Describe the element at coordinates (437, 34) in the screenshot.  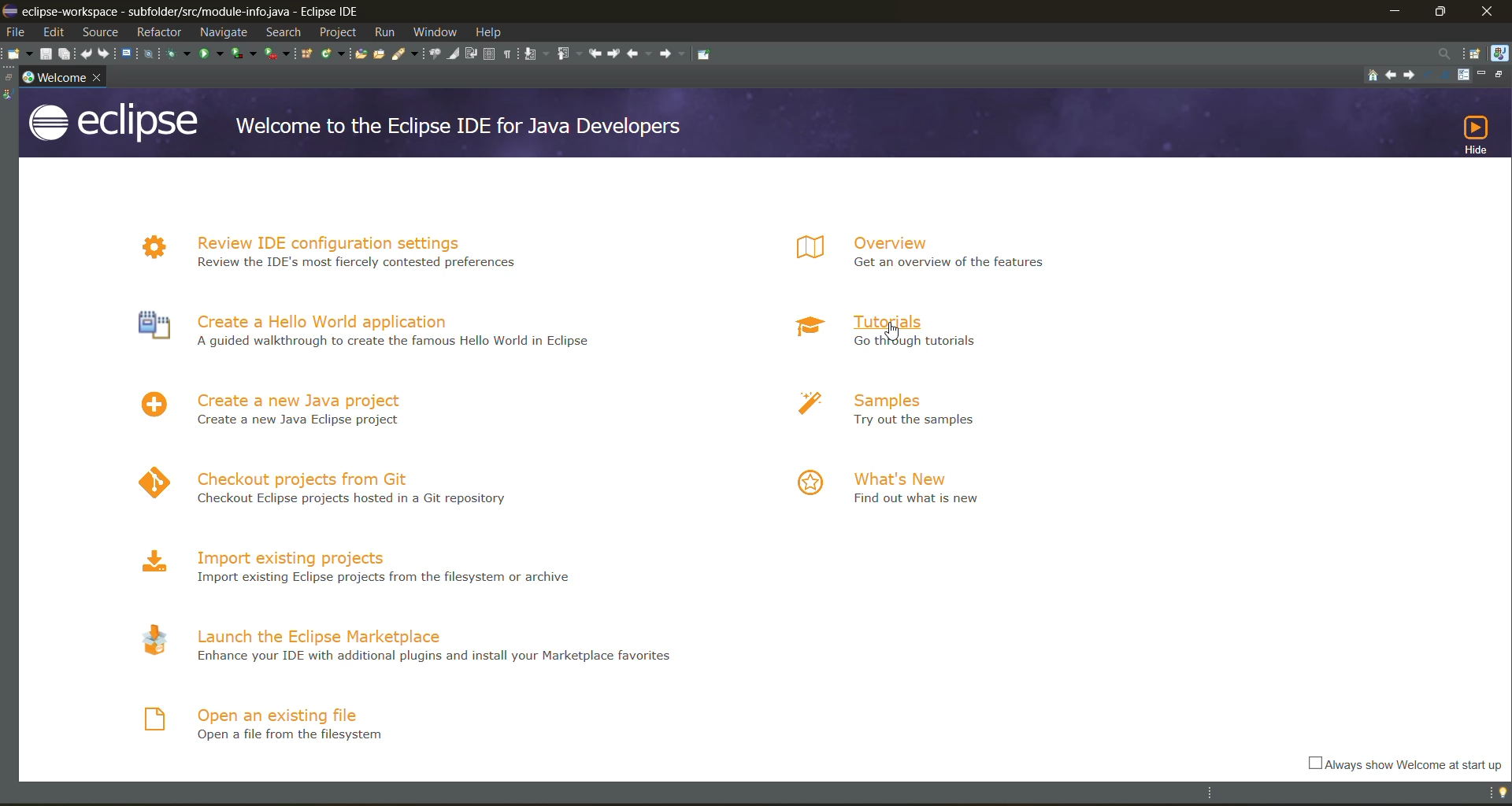
I see `window` at that location.